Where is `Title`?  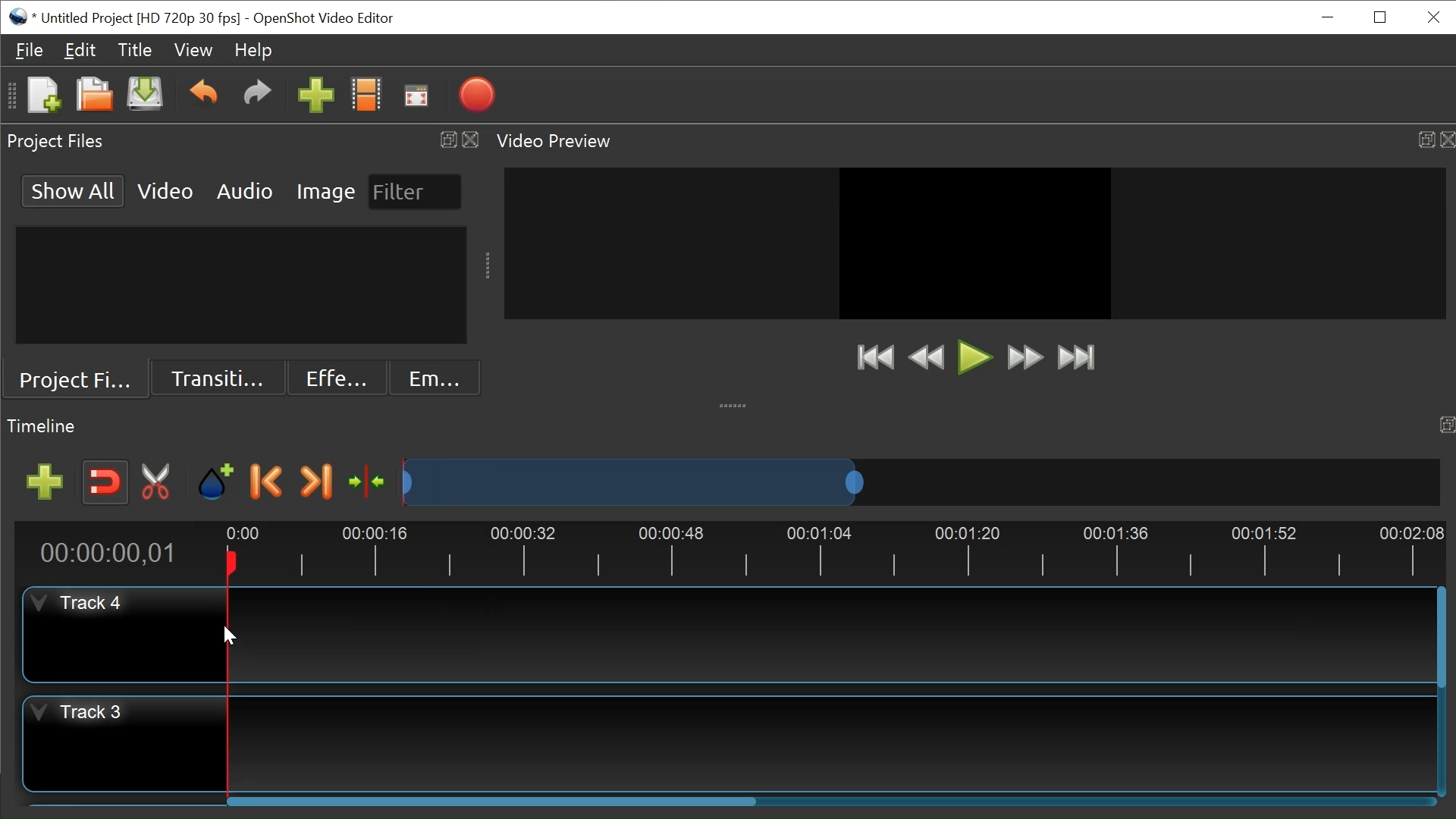 Title is located at coordinates (133, 50).